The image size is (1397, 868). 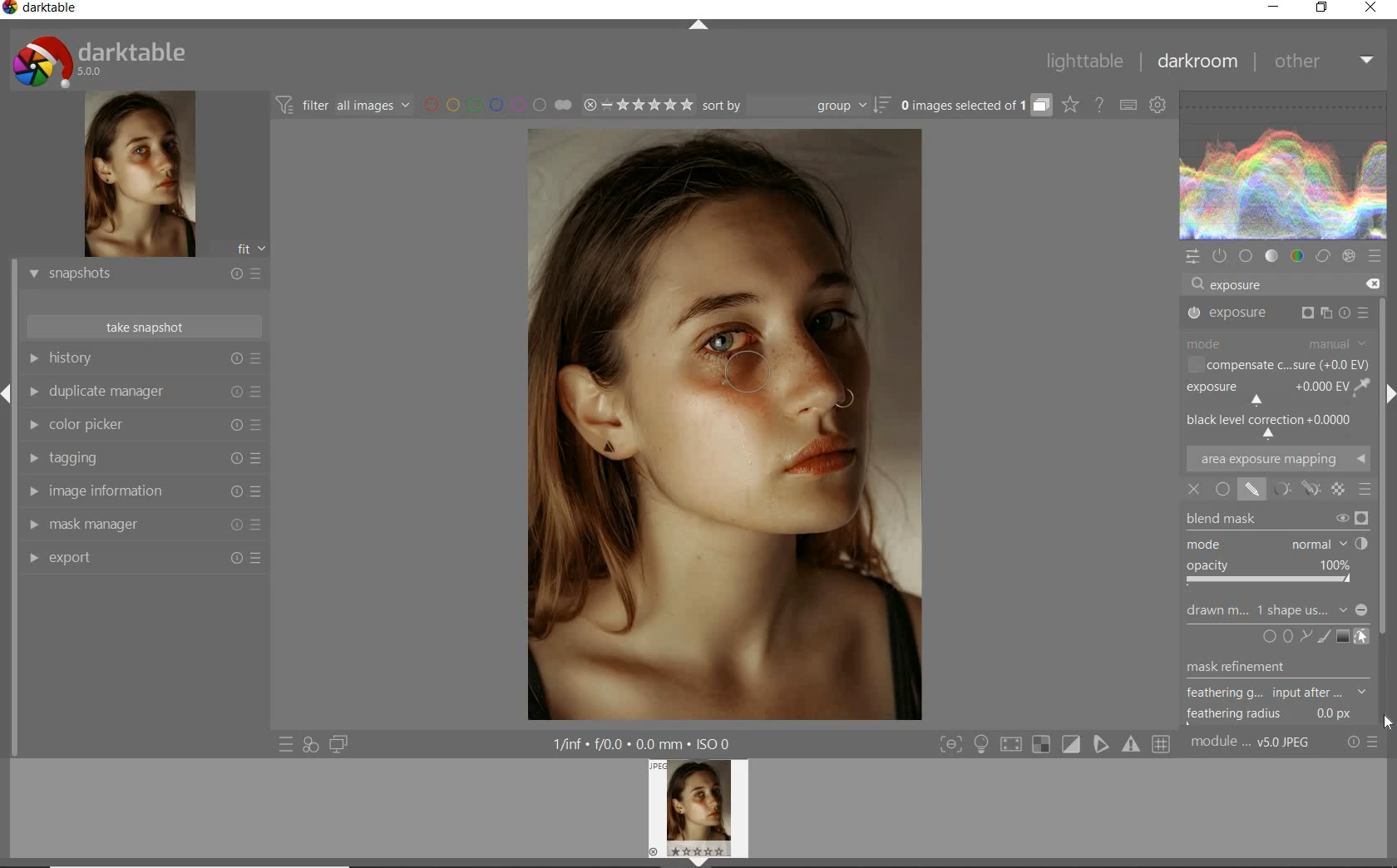 I want to click on image preview, so click(x=132, y=175).